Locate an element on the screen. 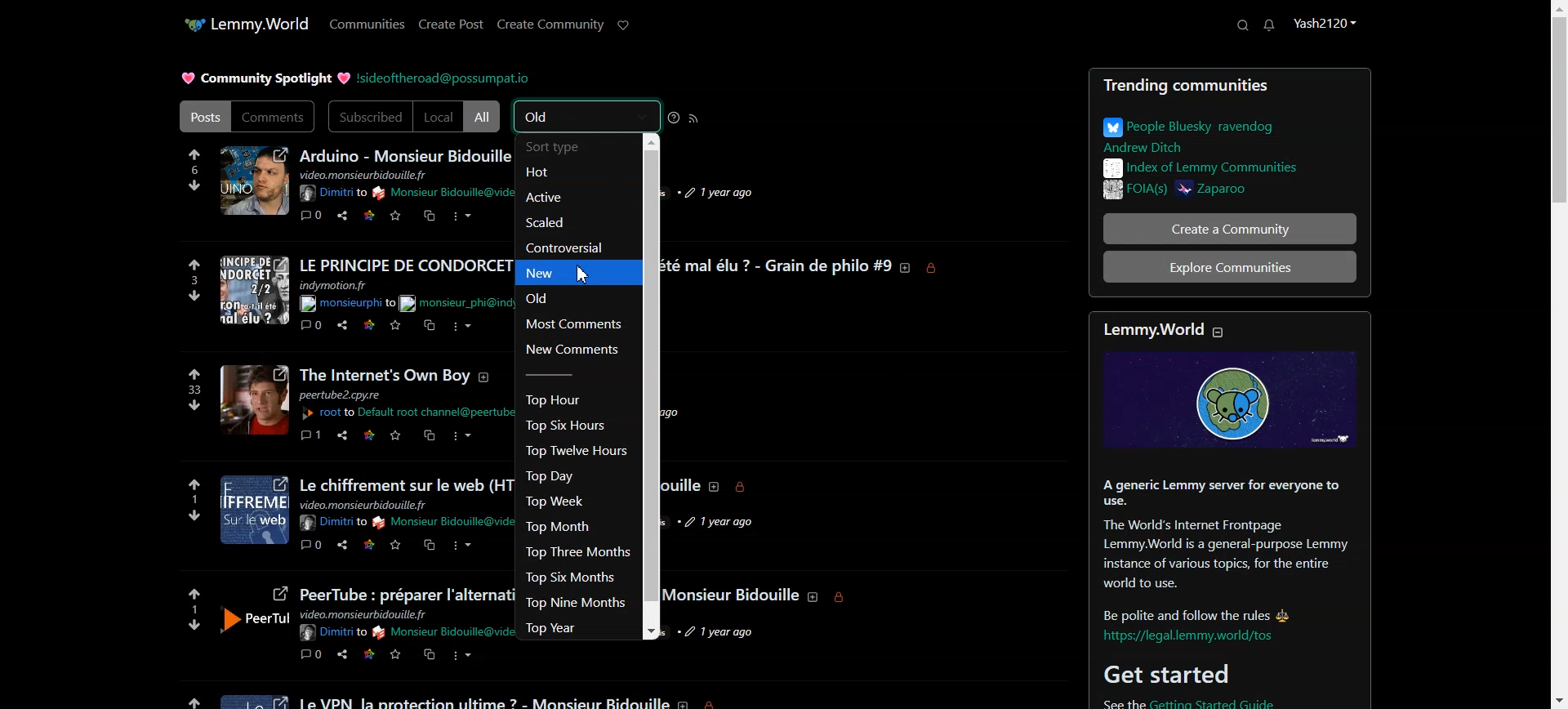 Image resolution: width=1568 pixels, height=709 pixels. text is located at coordinates (385, 376).